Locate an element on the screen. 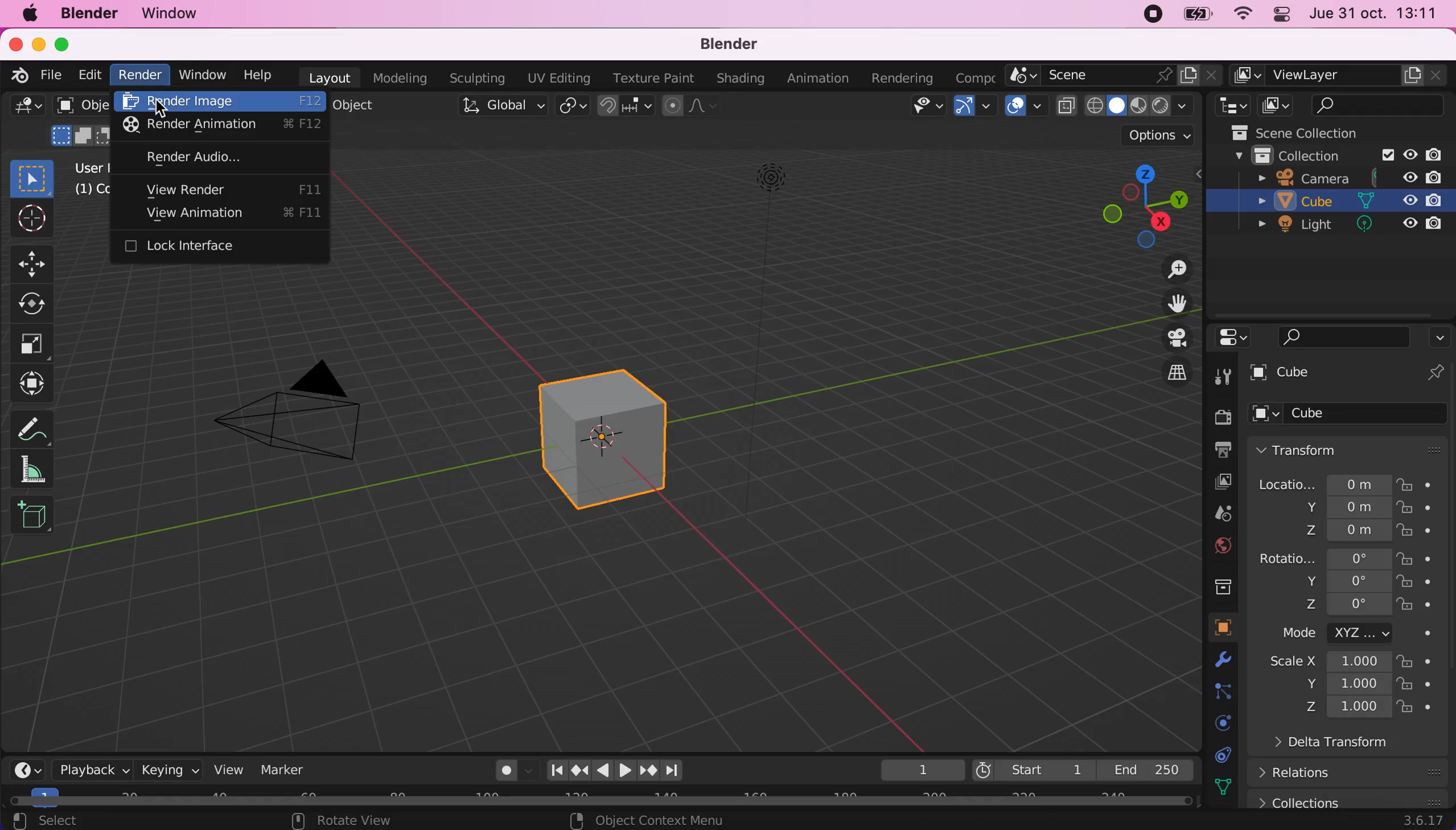  lock is located at coordinates (1417, 685).